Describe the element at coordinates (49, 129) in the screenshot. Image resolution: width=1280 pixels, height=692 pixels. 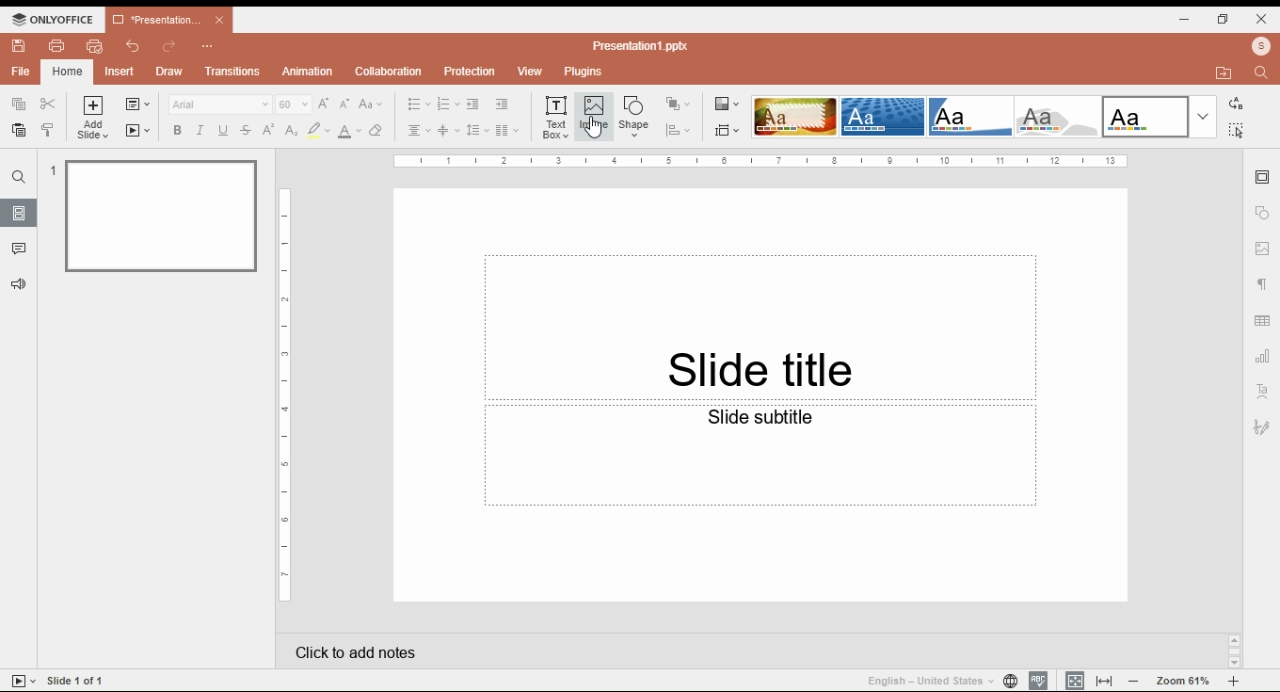
I see `copy style` at that location.